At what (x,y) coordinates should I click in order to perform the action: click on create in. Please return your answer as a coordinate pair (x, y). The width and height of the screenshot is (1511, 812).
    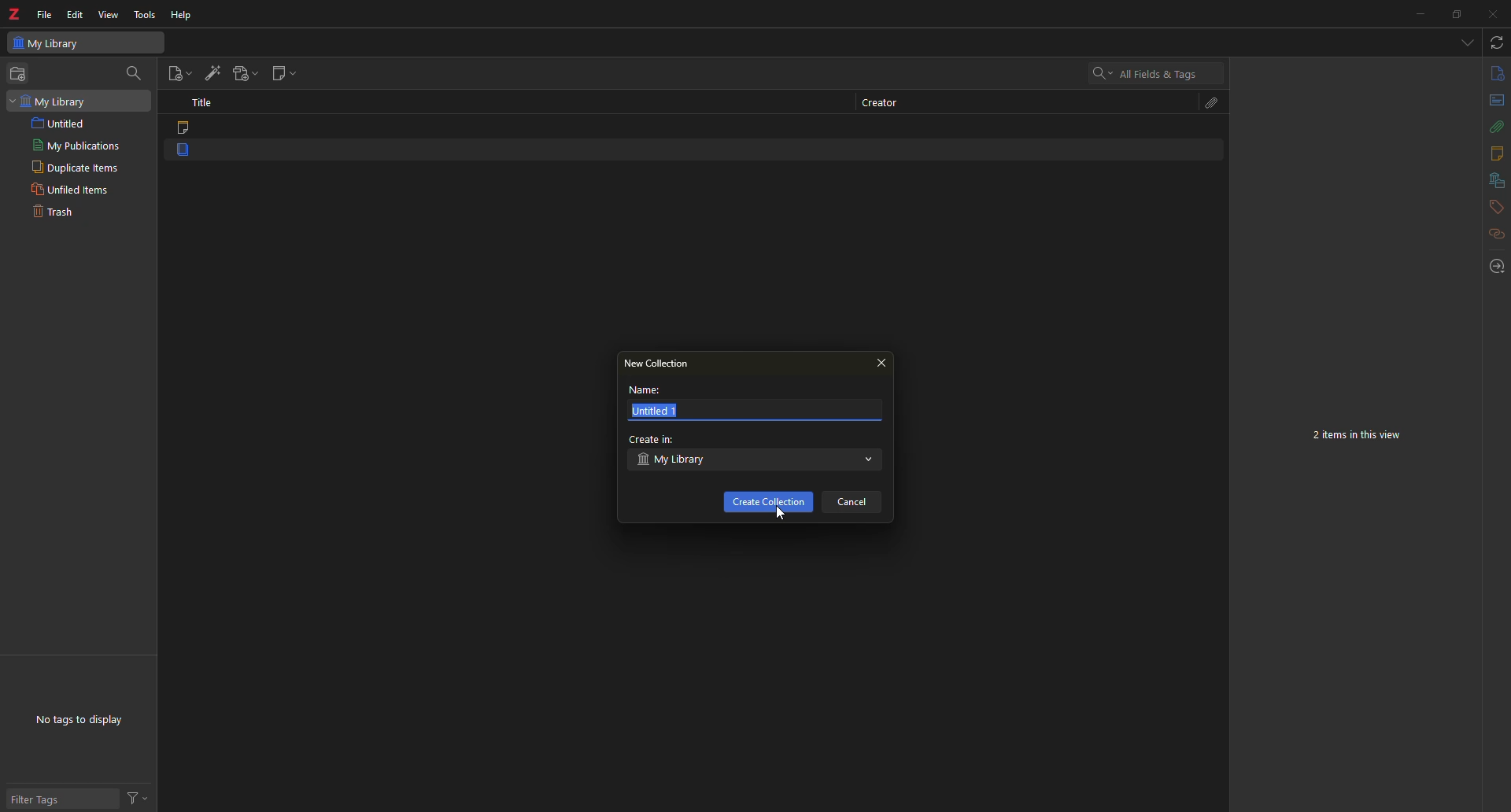
    Looking at the image, I should click on (654, 439).